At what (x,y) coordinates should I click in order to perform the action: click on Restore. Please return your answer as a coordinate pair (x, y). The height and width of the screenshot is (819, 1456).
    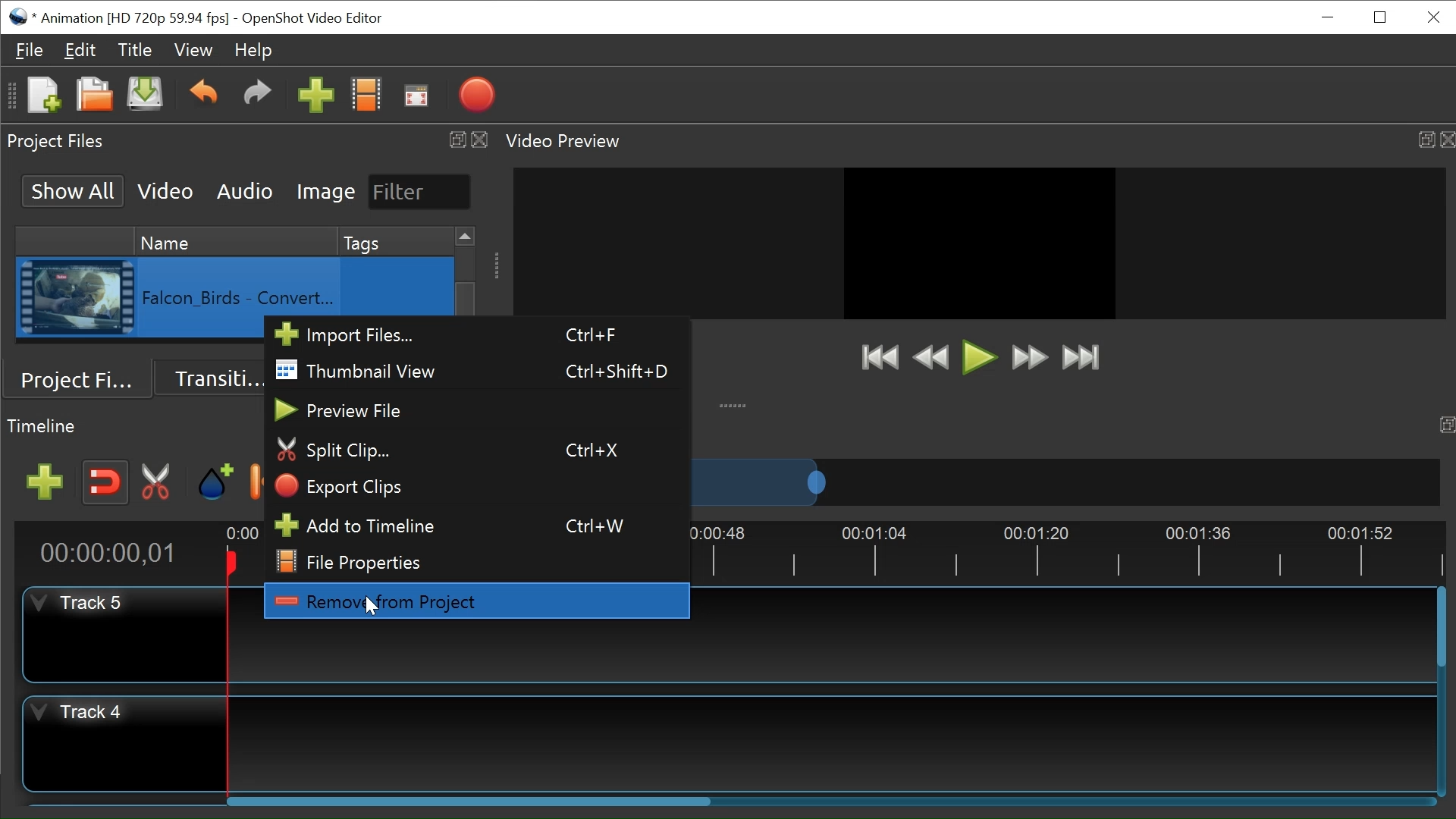
    Looking at the image, I should click on (1382, 17).